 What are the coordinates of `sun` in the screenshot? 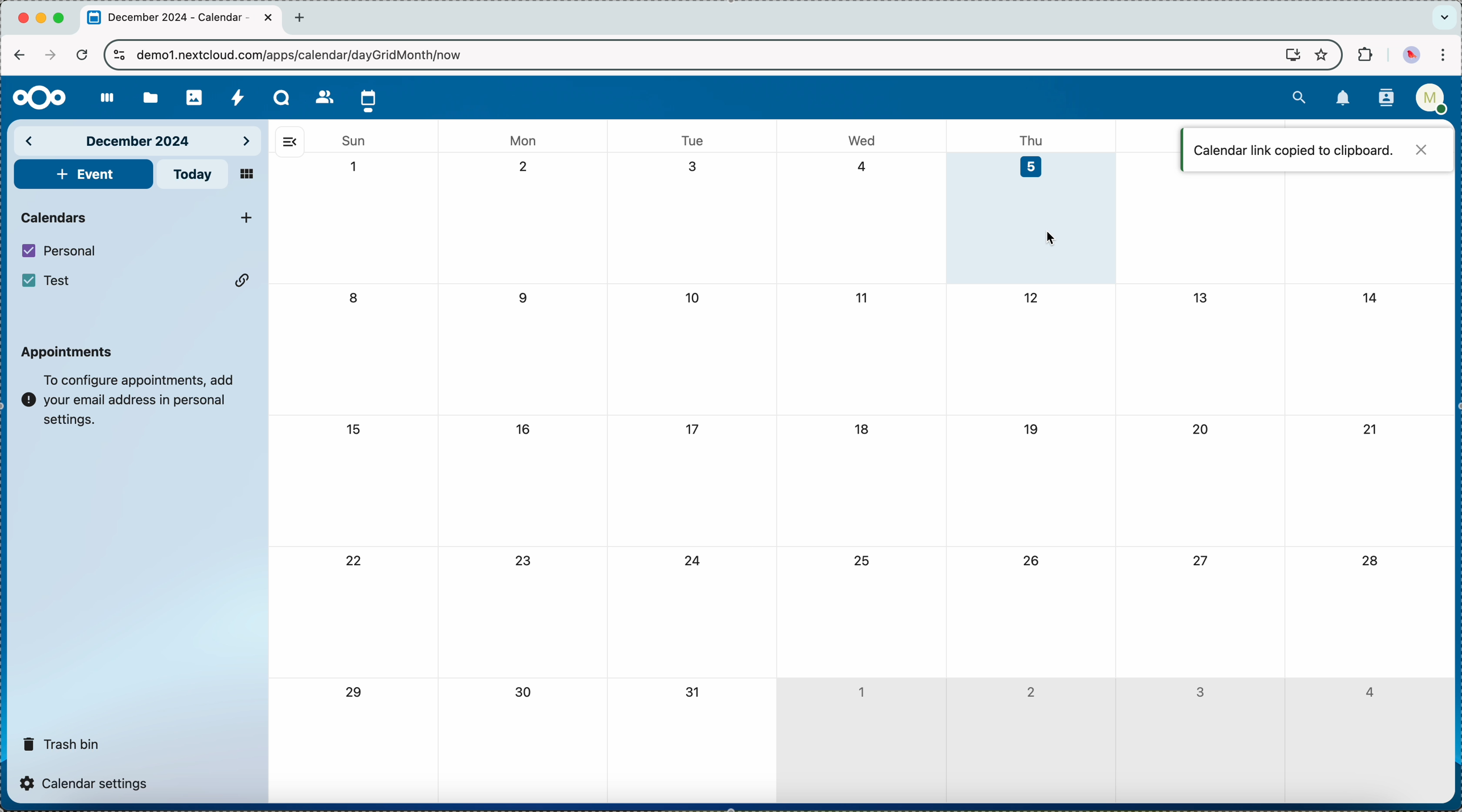 It's located at (352, 141).